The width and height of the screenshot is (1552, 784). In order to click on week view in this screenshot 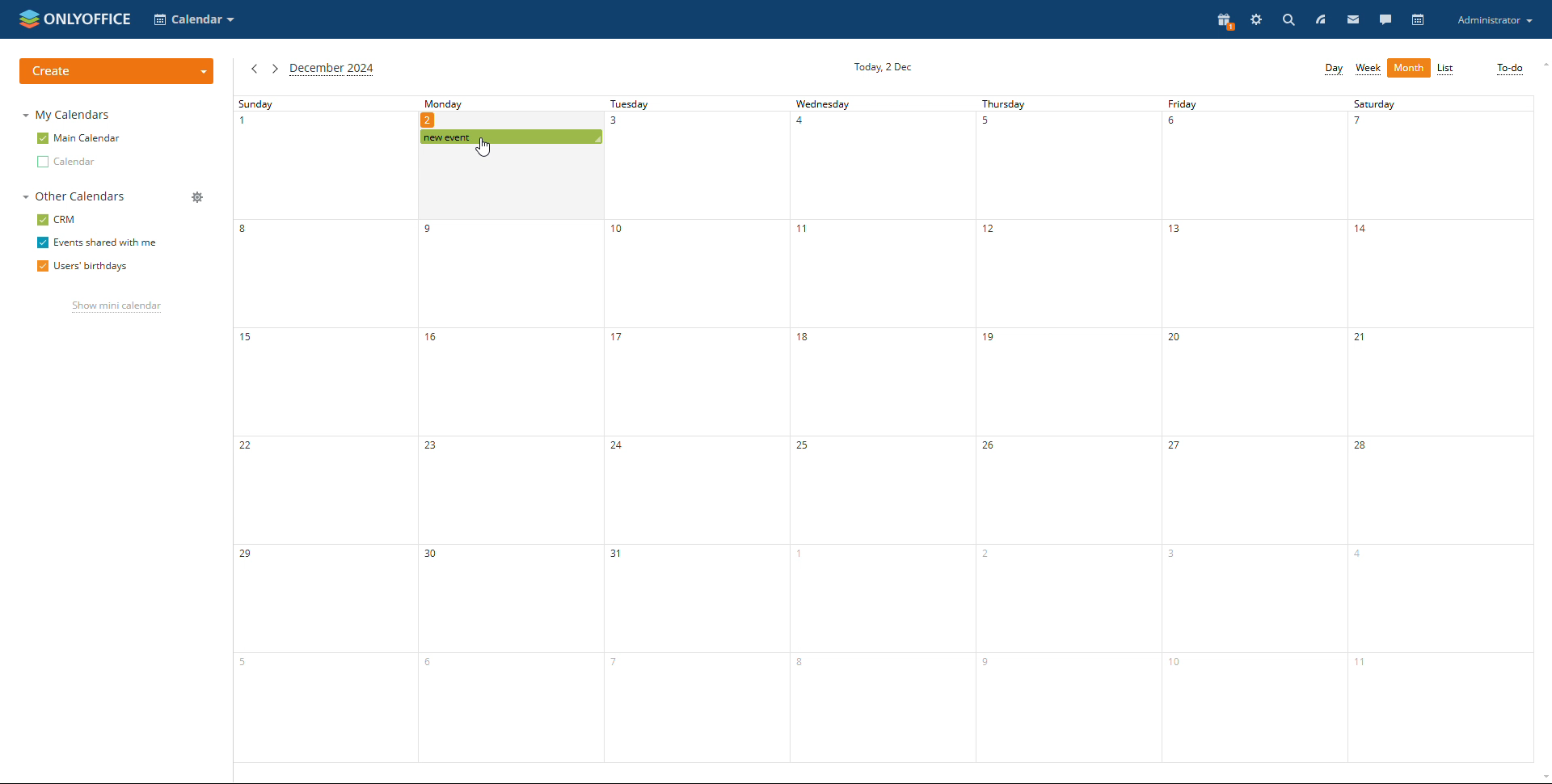, I will do `click(1369, 69)`.